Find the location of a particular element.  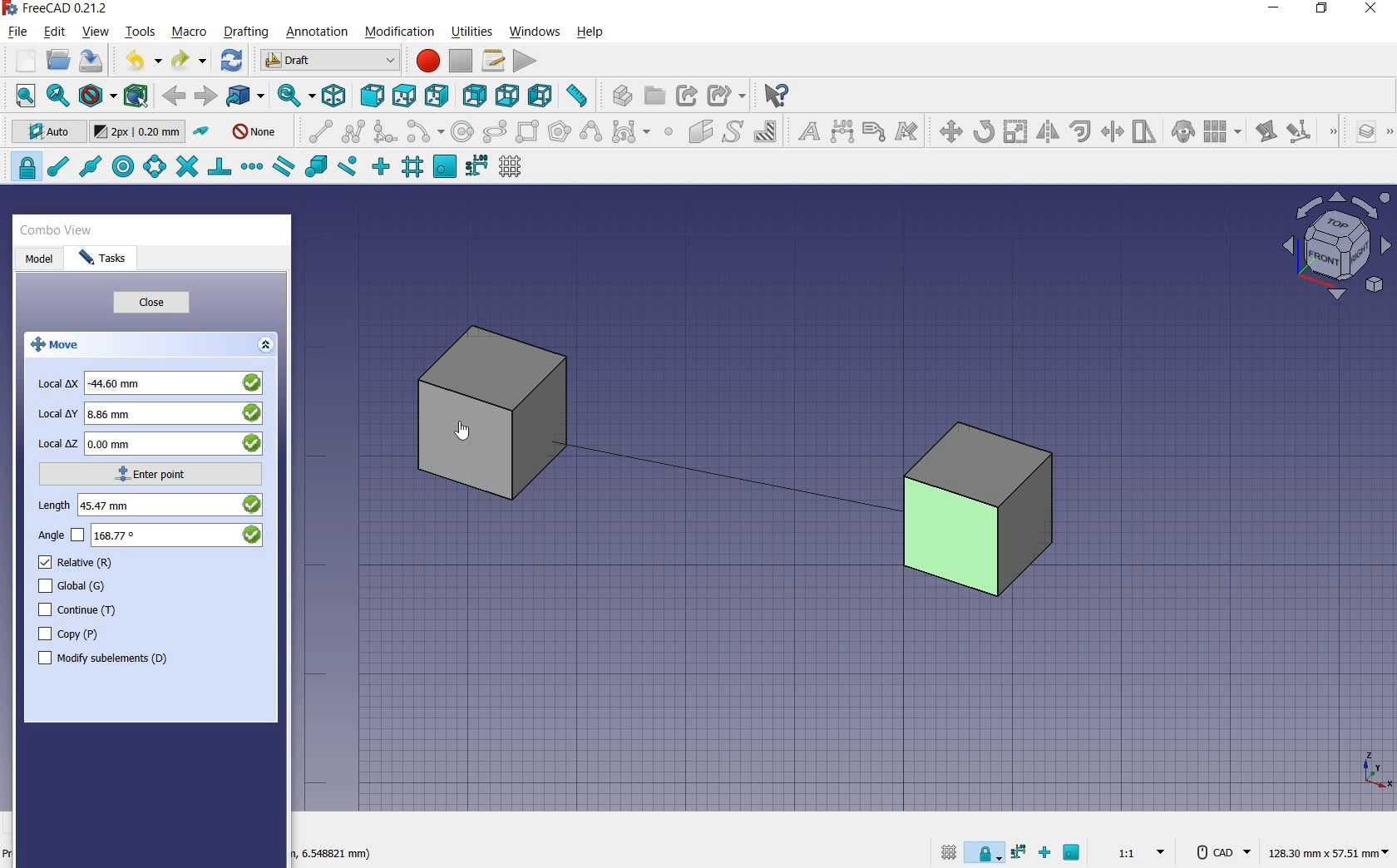

open is located at coordinates (61, 61).